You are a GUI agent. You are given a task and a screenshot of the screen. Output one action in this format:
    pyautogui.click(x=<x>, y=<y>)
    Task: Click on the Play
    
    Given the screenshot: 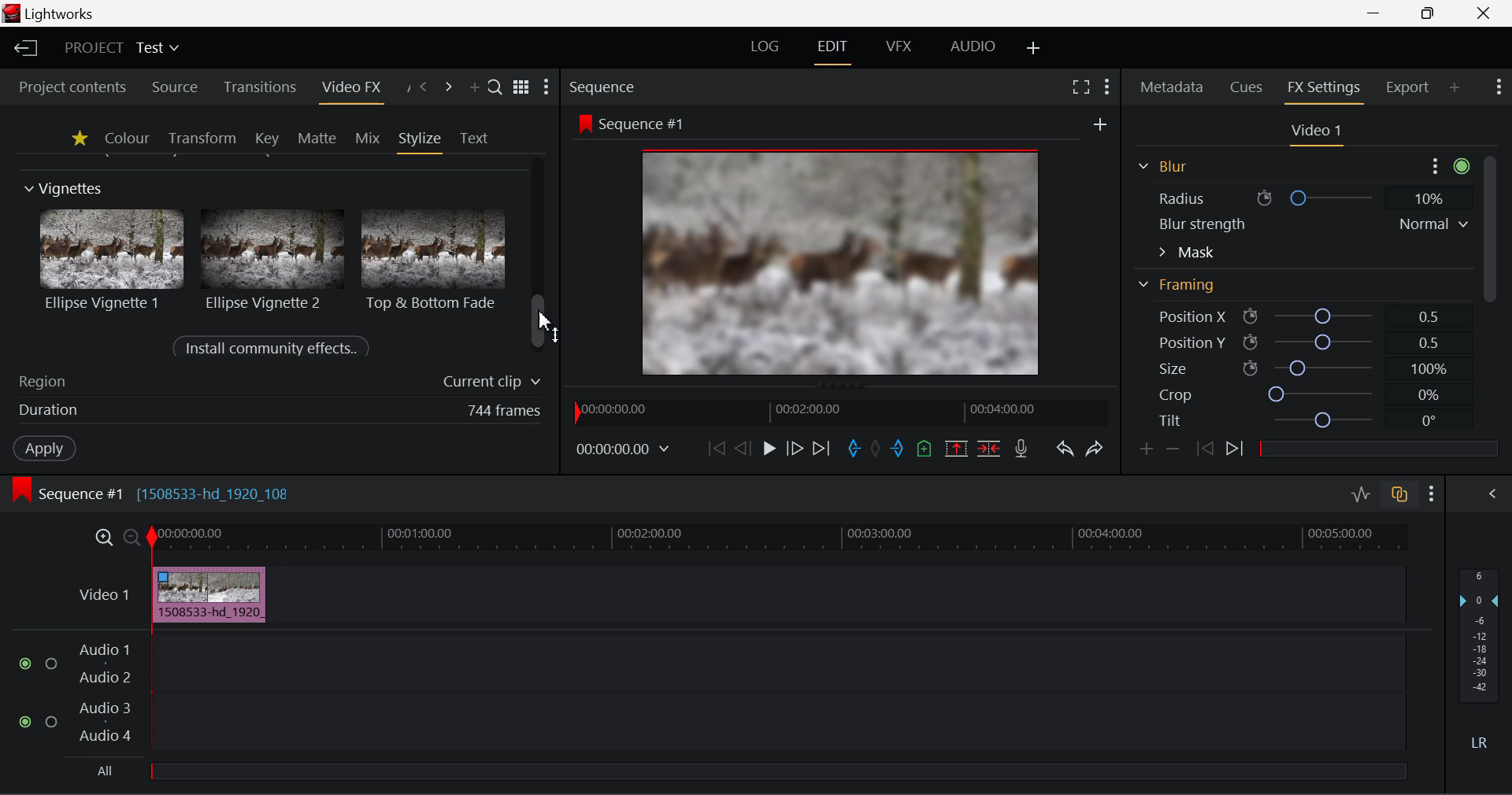 What is the action you would take?
    pyautogui.click(x=767, y=449)
    